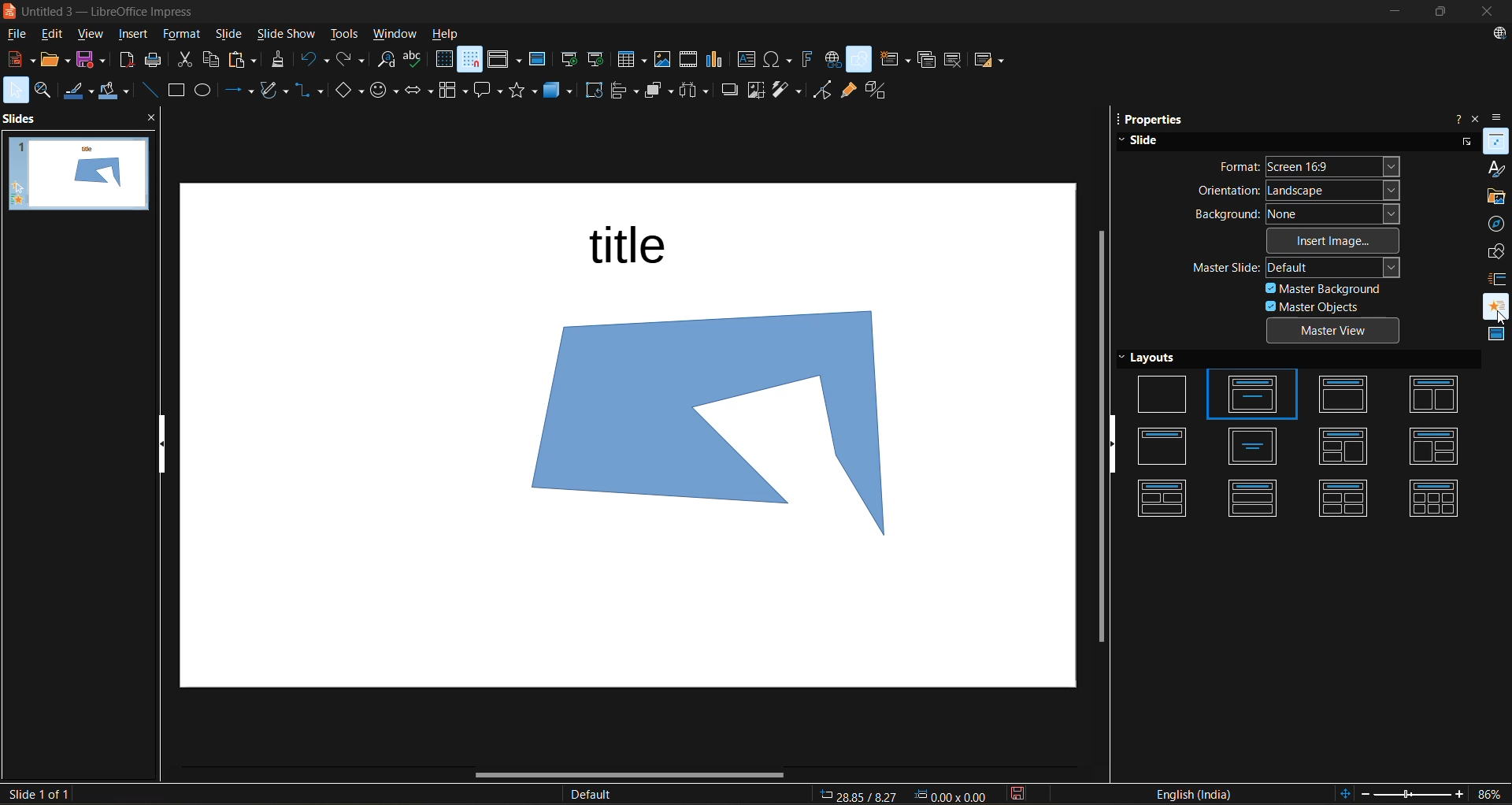 Image resolution: width=1512 pixels, height=805 pixels. I want to click on stars and banners, so click(524, 90).